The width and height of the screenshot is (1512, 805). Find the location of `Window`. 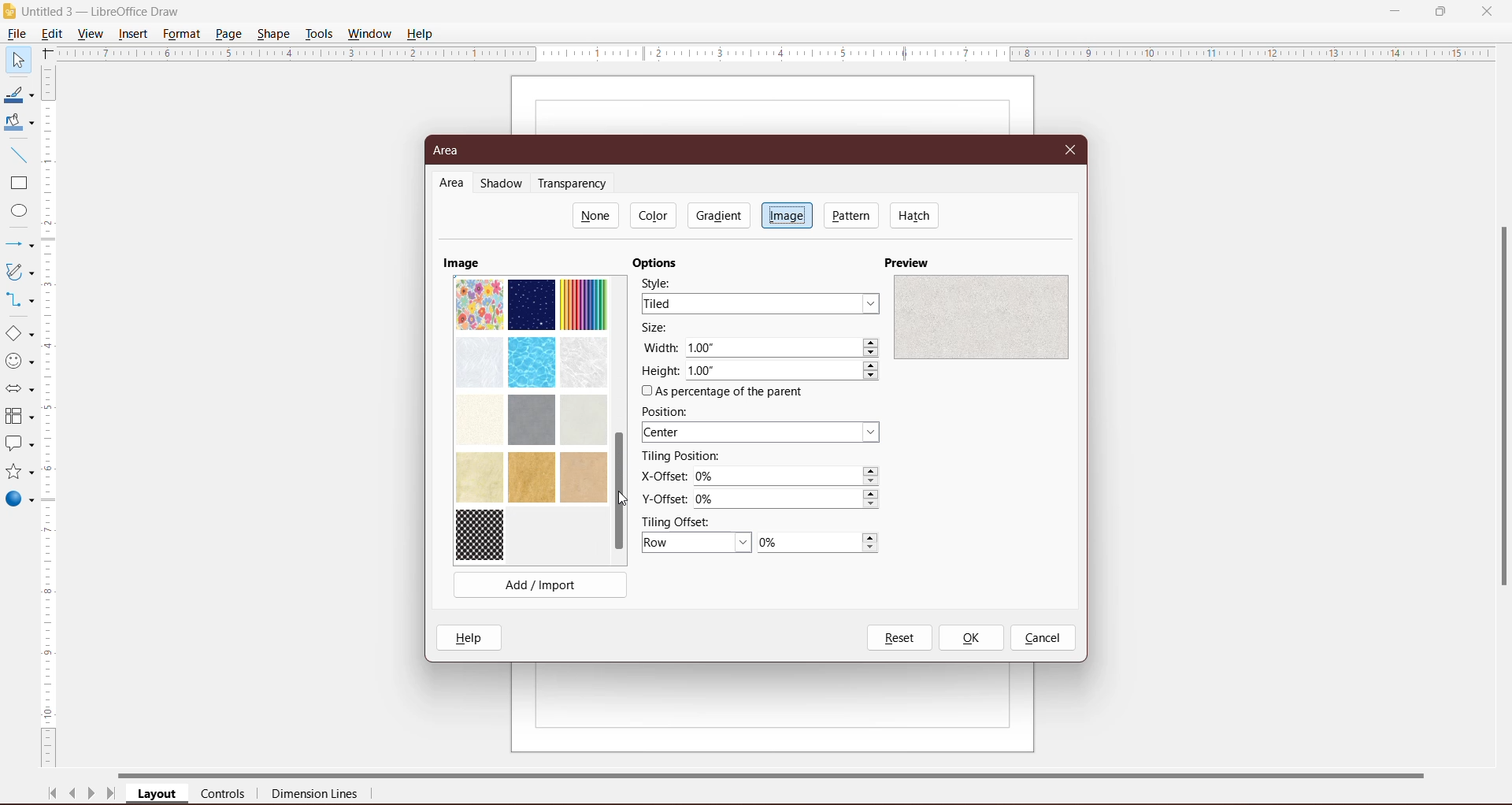

Window is located at coordinates (369, 34).